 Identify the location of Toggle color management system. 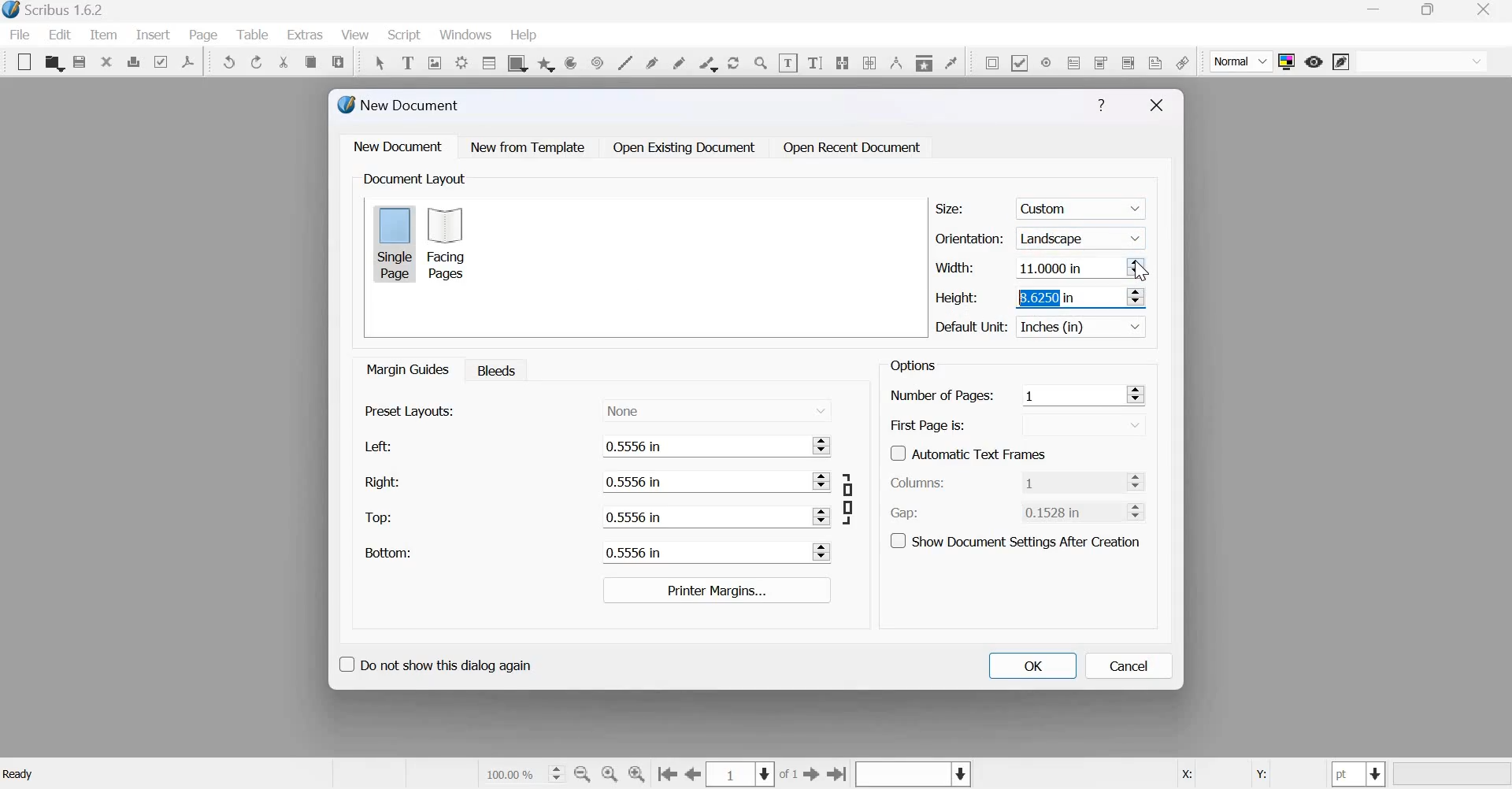
(1287, 61).